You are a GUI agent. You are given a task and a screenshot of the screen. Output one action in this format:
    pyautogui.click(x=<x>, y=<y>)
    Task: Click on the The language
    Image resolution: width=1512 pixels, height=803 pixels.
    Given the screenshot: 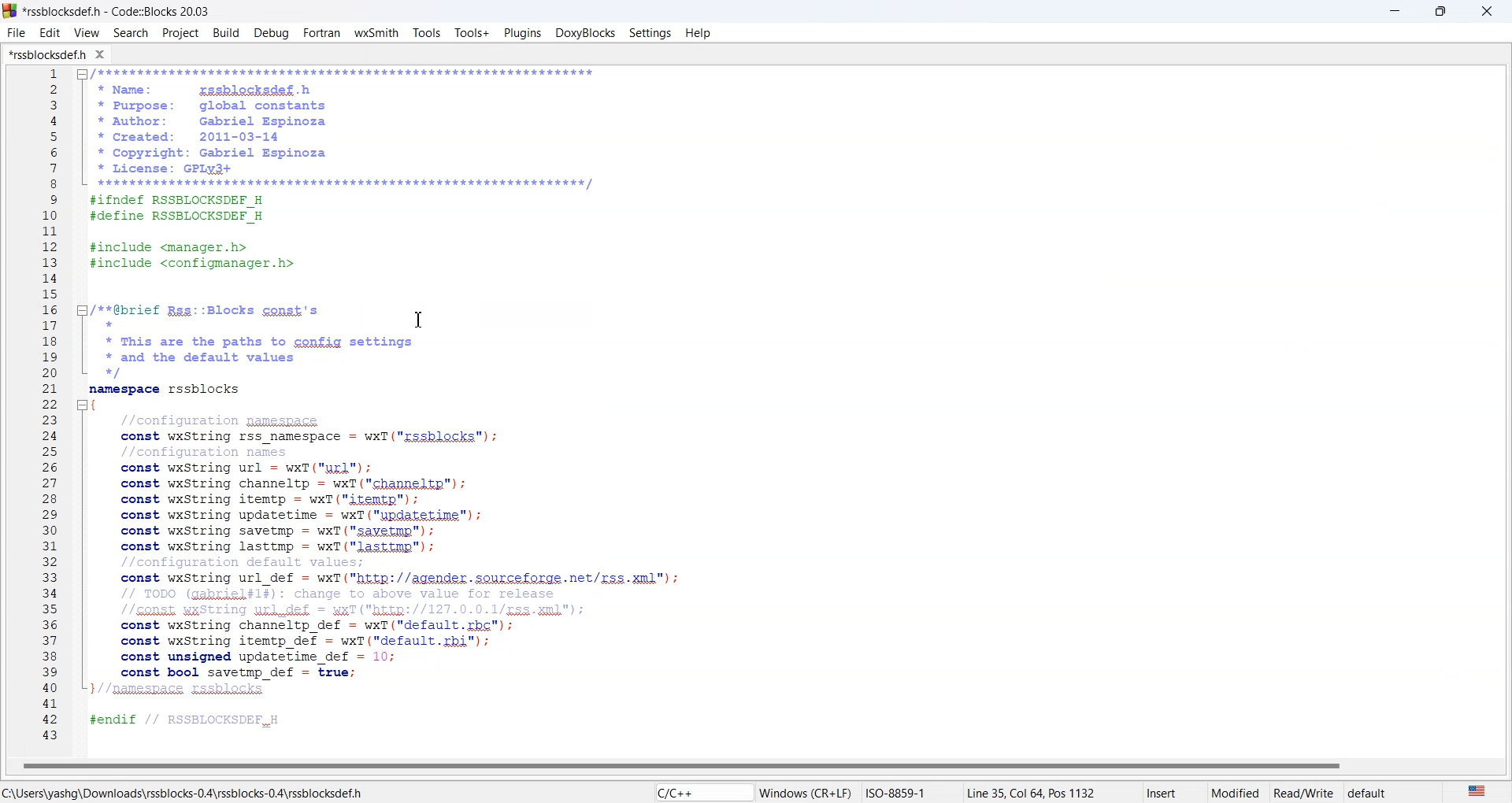 What is the action you would take?
    pyautogui.click(x=1476, y=790)
    